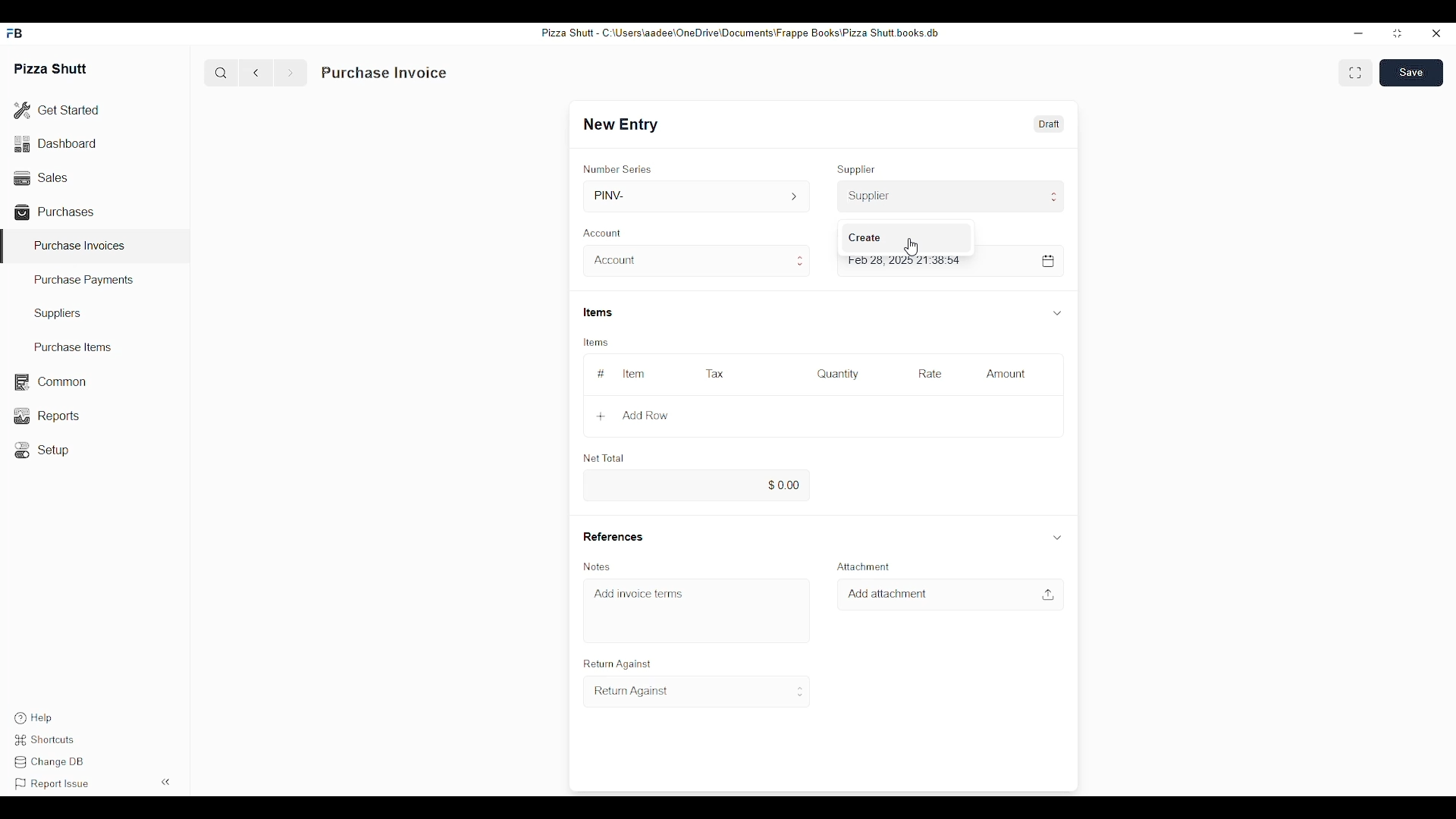  What do you see at coordinates (739, 32) in the screenshot?
I see `Pizza Shut - C:\Users\aadee\OneDrive\Documents\Frappe Books\Pizza Shutt books. db` at bounding box center [739, 32].